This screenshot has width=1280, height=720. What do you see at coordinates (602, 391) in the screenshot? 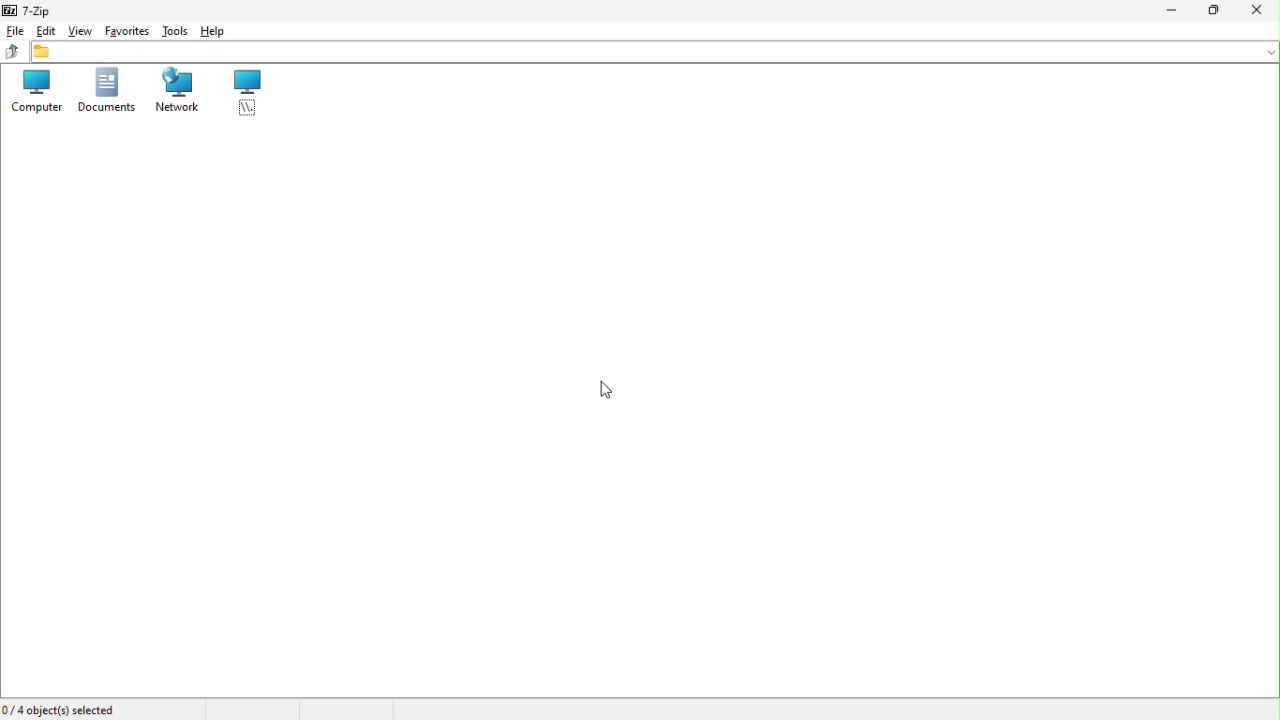
I see `cursor` at bounding box center [602, 391].